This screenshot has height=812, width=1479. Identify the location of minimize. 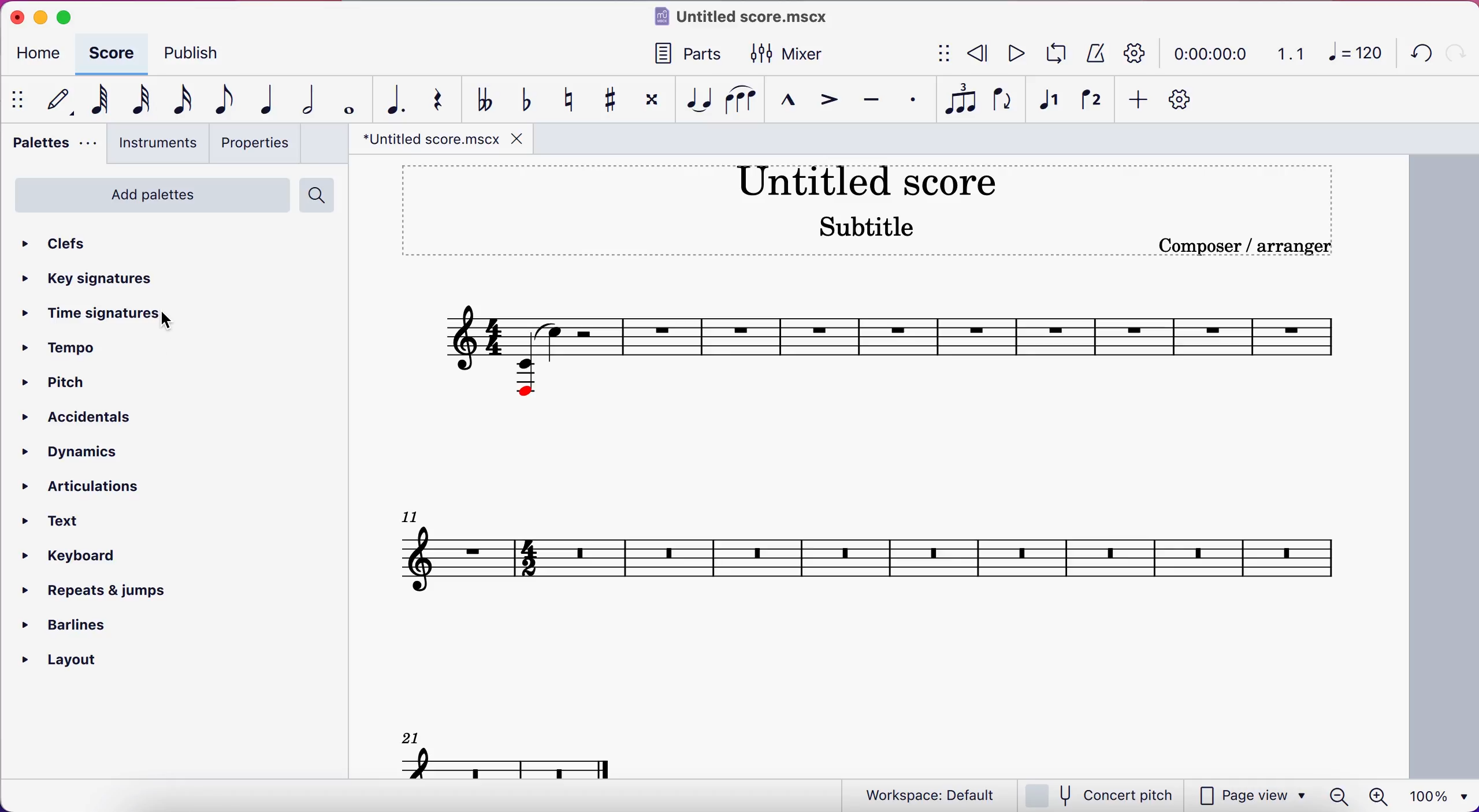
(40, 15).